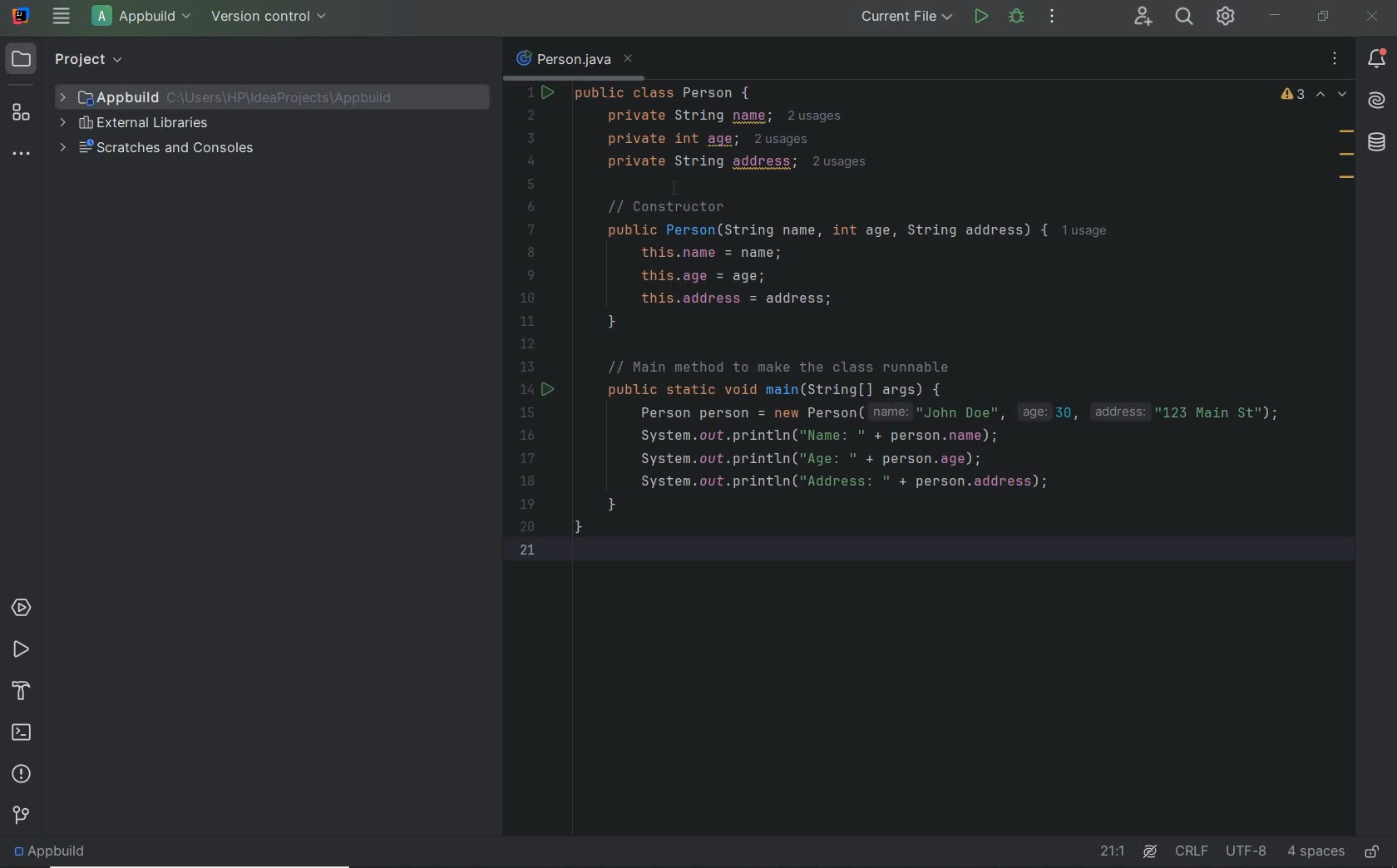  What do you see at coordinates (22, 607) in the screenshot?
I see `services` at bounding box center [22, 607].